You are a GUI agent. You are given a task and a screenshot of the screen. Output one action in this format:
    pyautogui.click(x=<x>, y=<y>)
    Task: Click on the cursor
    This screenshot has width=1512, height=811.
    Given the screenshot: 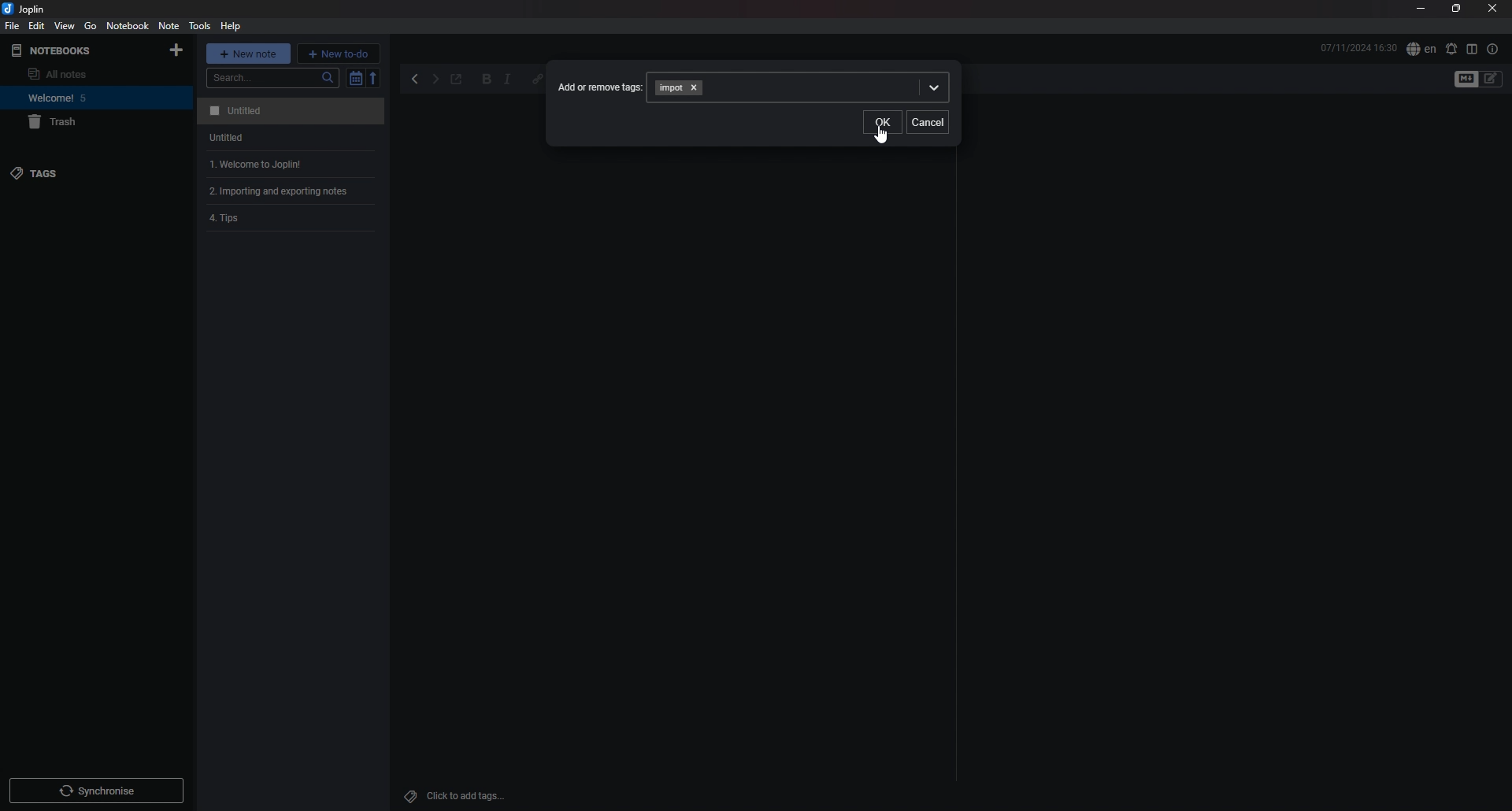 What is the action you would take?
    pyautogui.click(x=880, y=136)
    